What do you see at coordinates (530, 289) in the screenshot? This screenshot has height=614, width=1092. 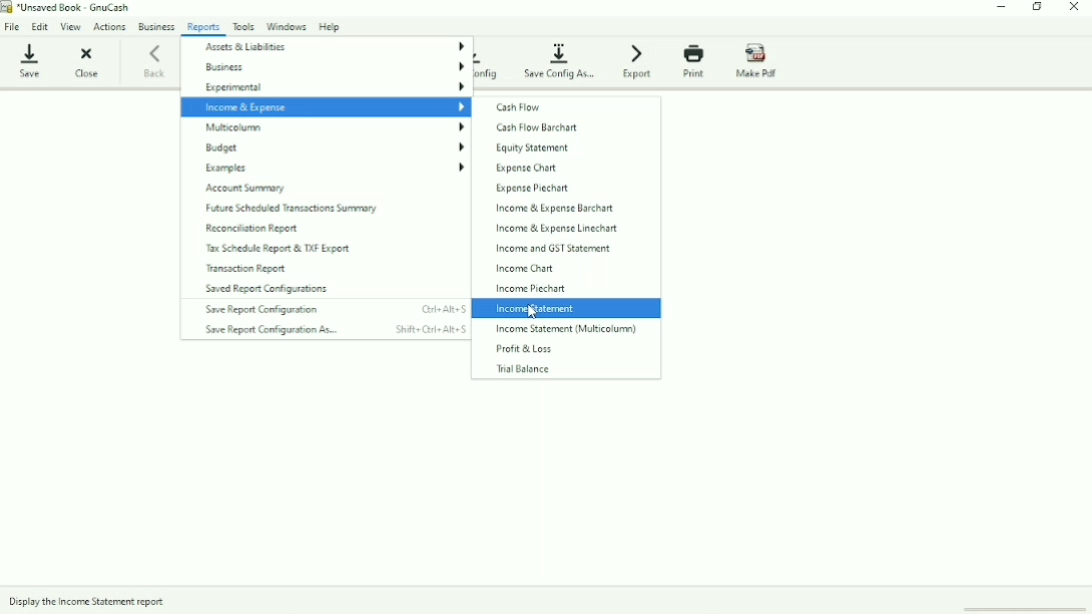 I see `Income Piechart` at bounding box center [530, 289].